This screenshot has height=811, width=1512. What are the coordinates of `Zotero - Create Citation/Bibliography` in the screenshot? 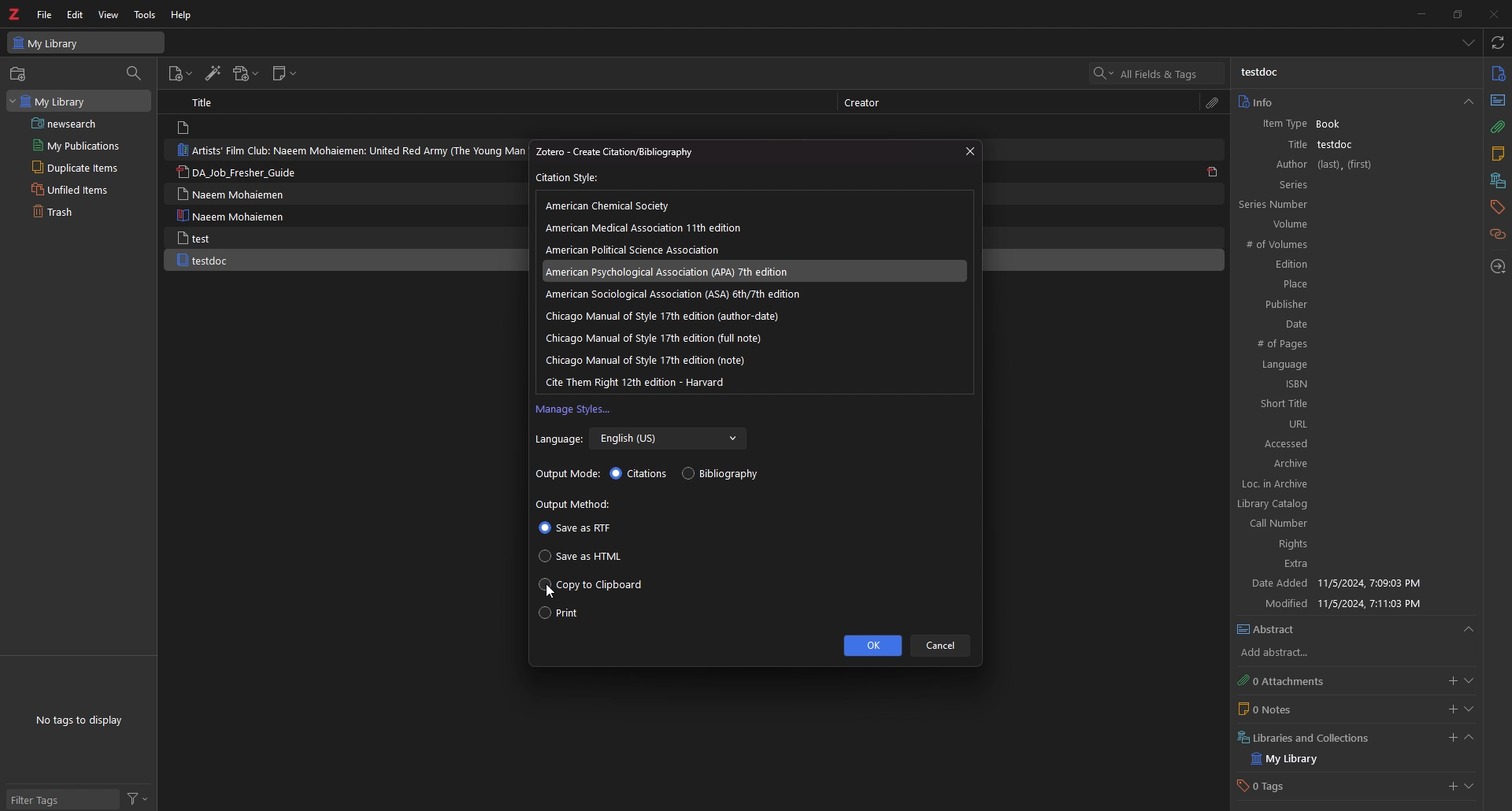 It's located at (631, 152).